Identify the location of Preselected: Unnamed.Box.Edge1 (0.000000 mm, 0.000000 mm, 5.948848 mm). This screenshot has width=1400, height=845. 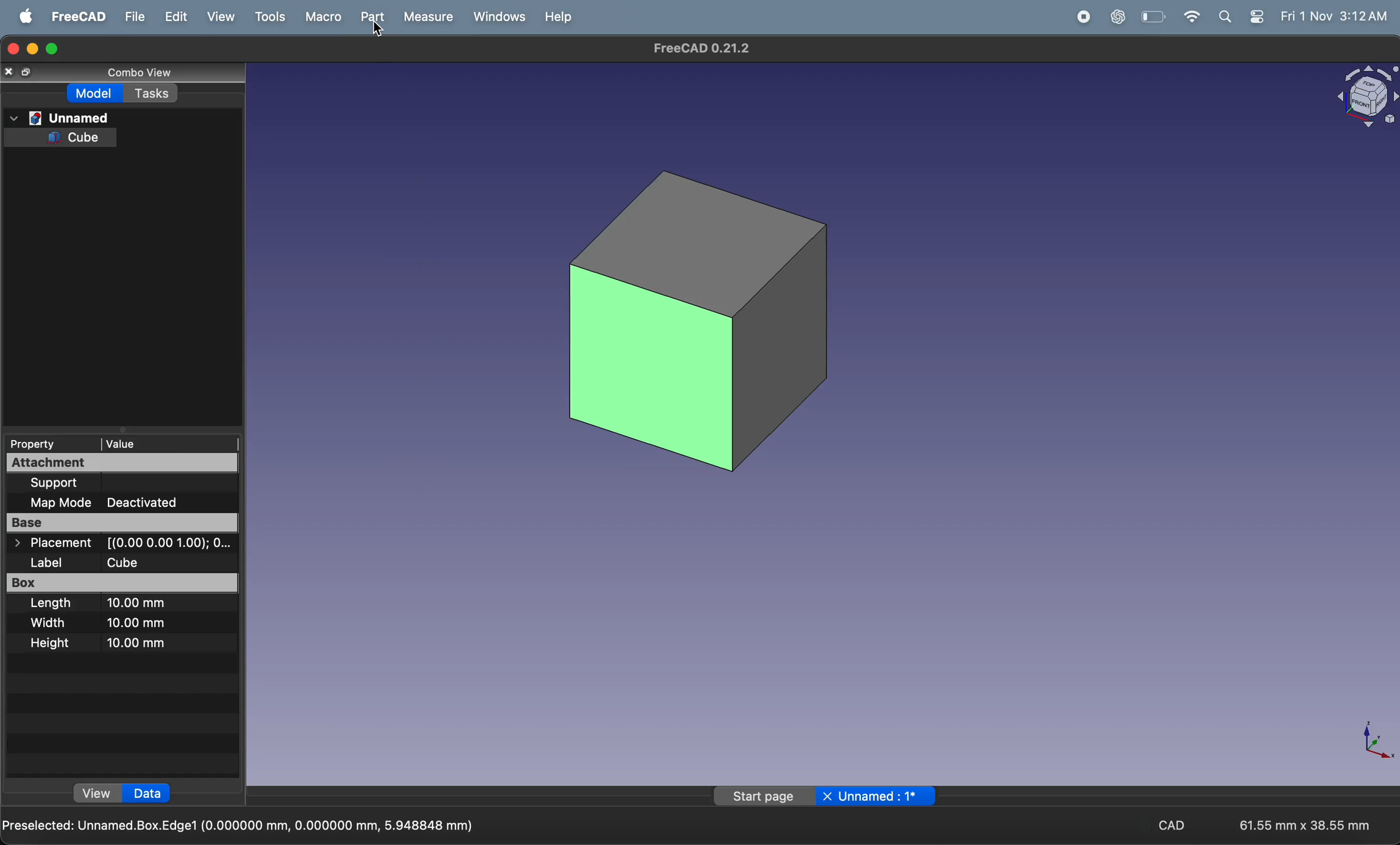
(240, 824).